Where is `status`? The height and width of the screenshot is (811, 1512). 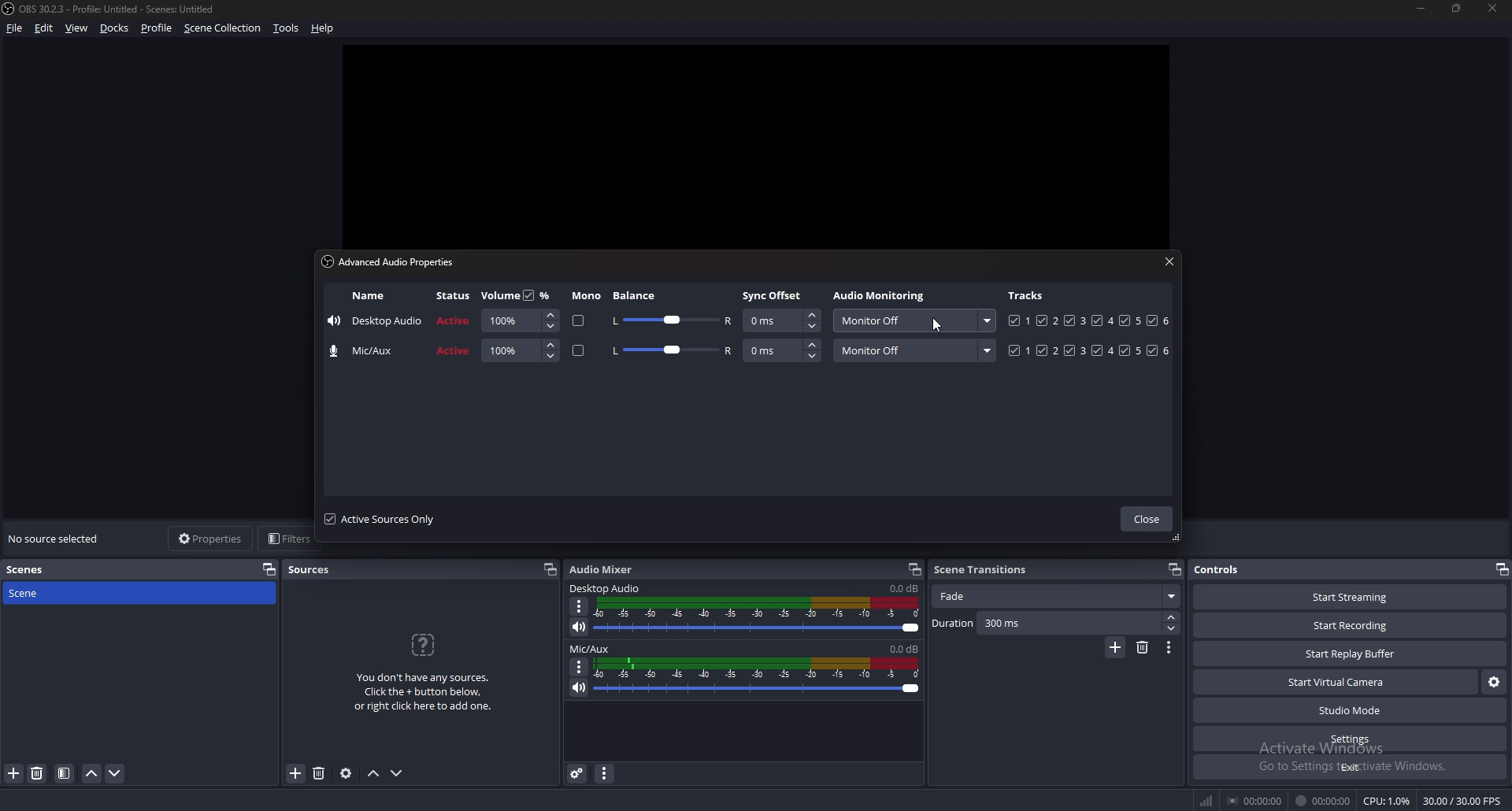 status is located at coordinates (454, 294).